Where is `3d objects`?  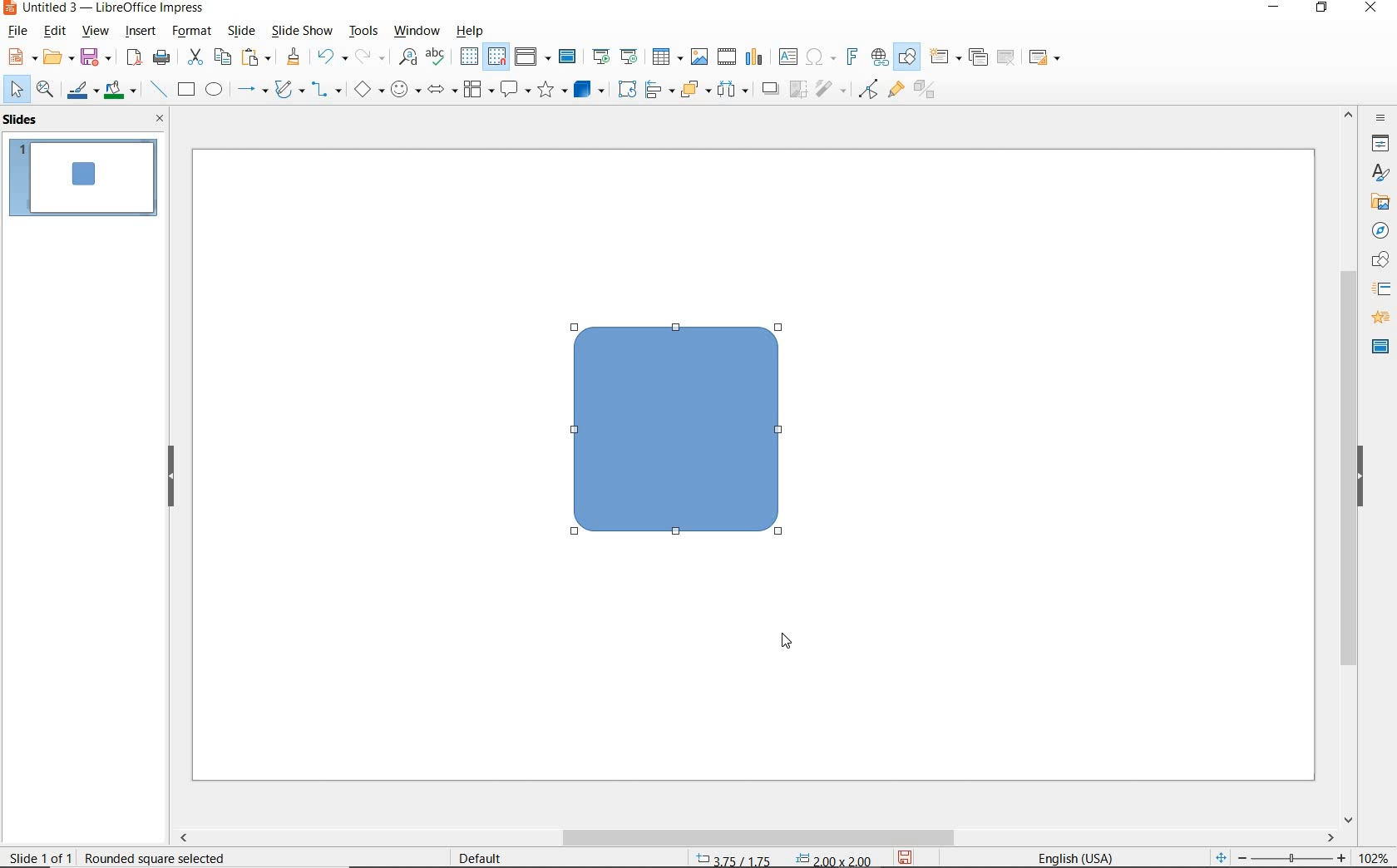 3d objects is located at coordinates (589, 88).